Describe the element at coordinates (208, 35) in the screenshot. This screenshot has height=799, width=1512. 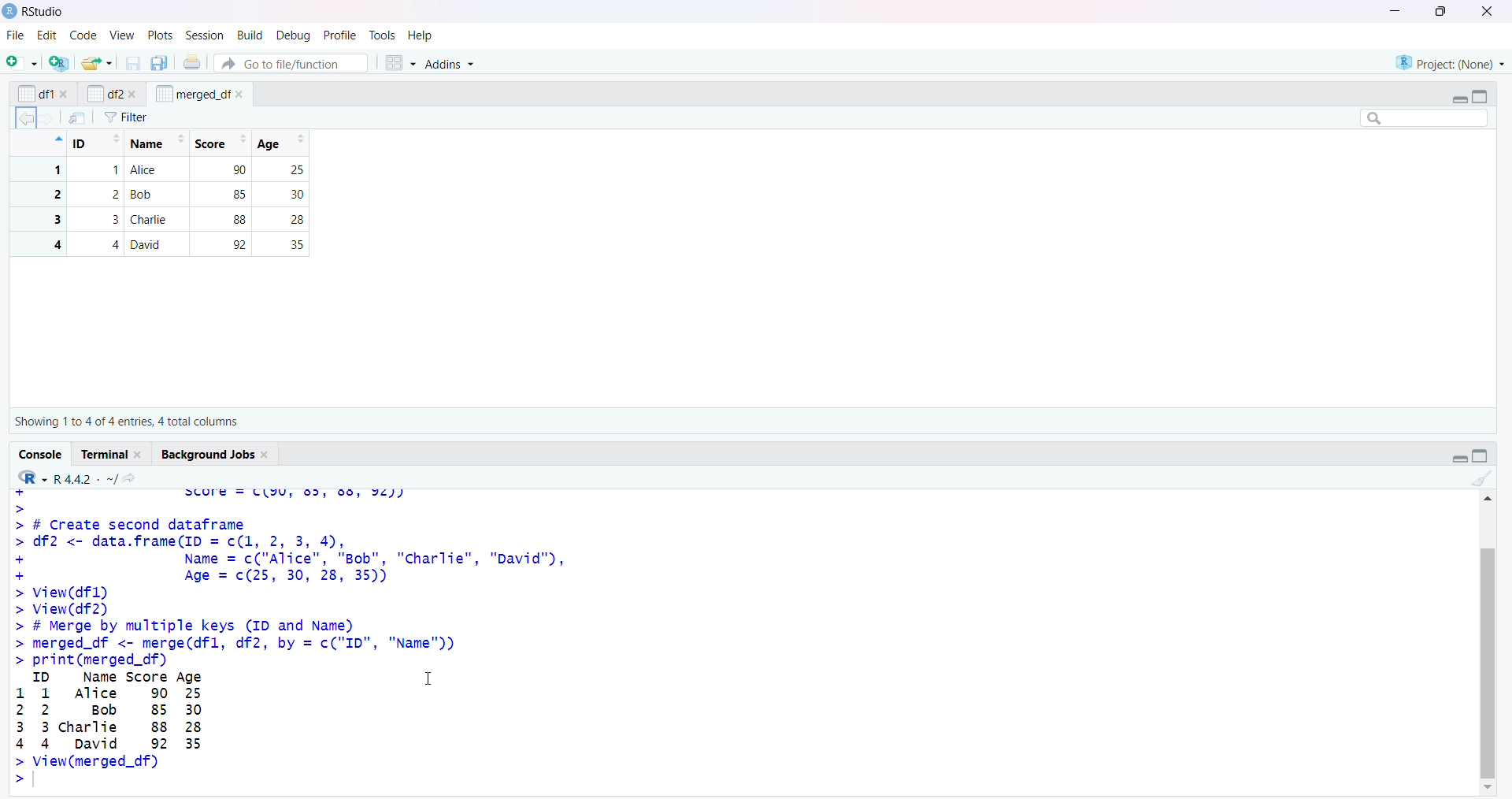
I see `session` at that location.